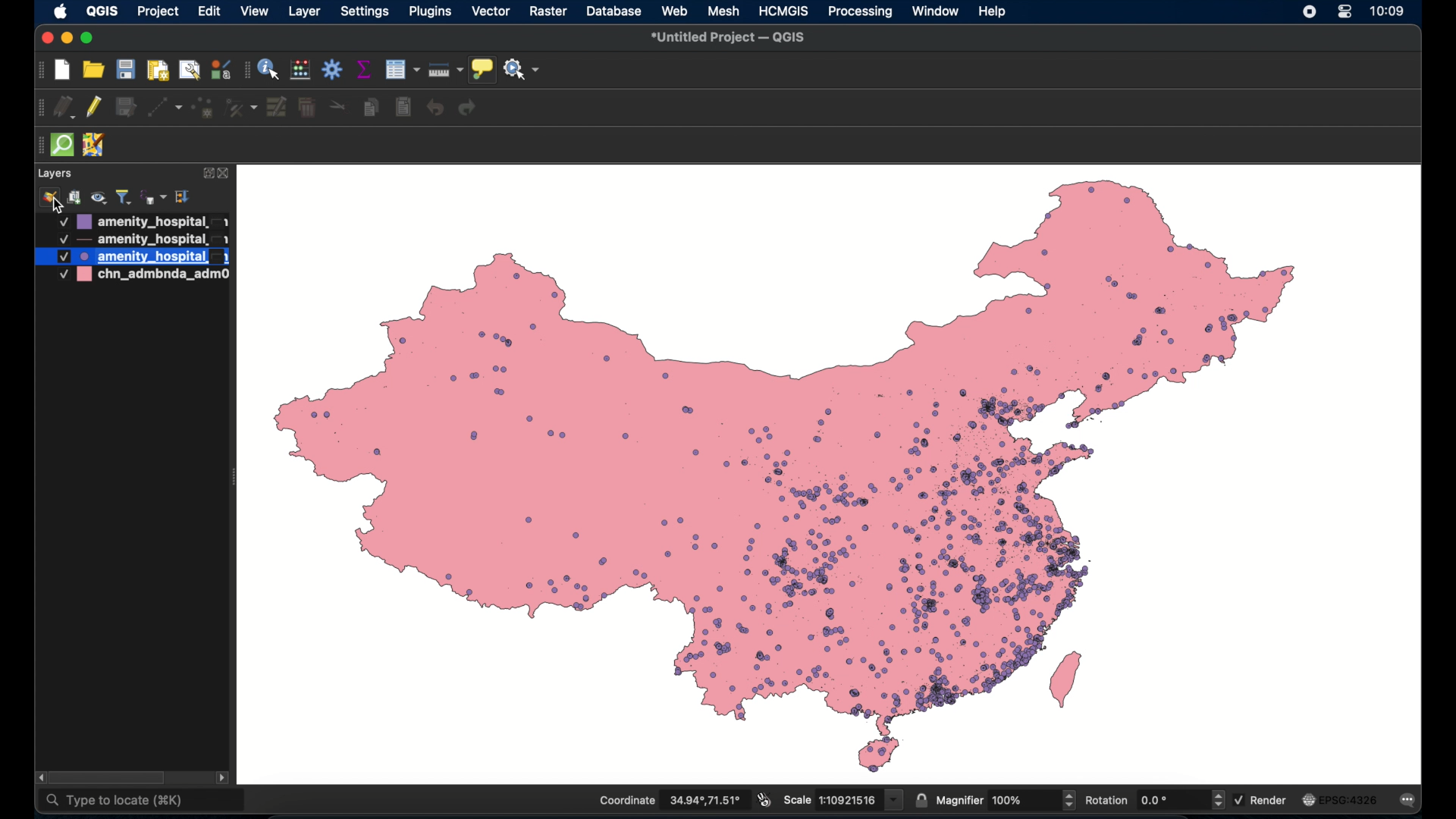 Image resolution: width=1456 pixels, height=819 pixels. What do you see at coordinates (994, 11) in the screenshot?
I see `help` at bounding box center [994, 11].